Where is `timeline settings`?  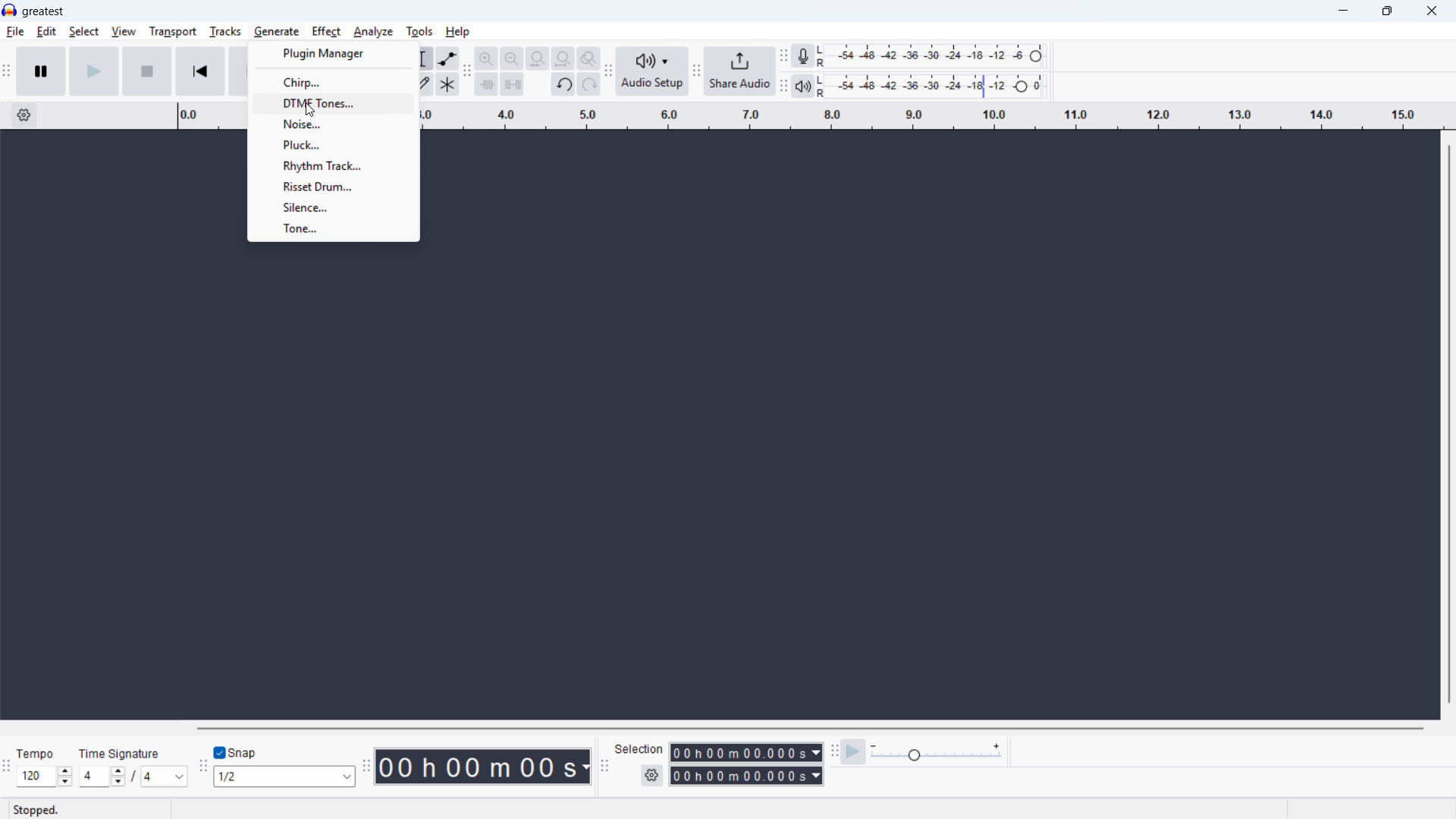 timeline settings is located at coordinates (25, 115).